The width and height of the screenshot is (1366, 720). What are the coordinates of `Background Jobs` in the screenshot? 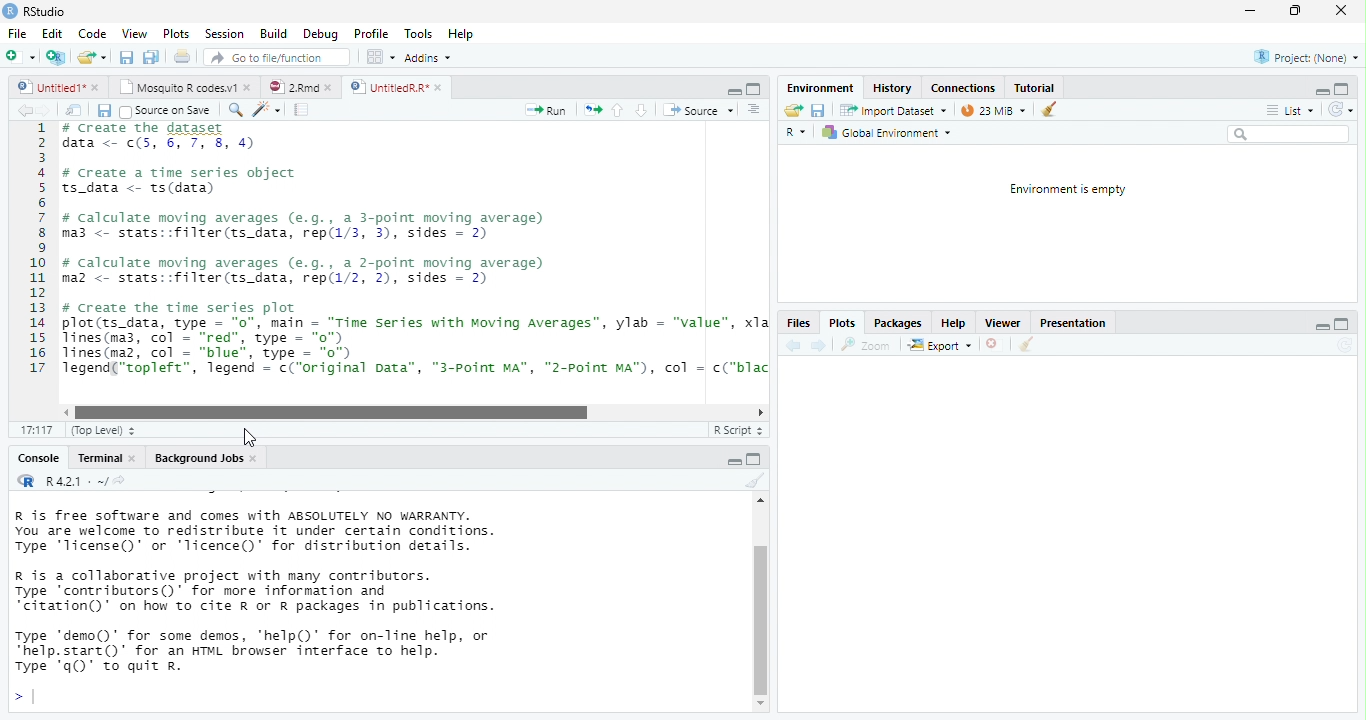 It's located at (197, 458).